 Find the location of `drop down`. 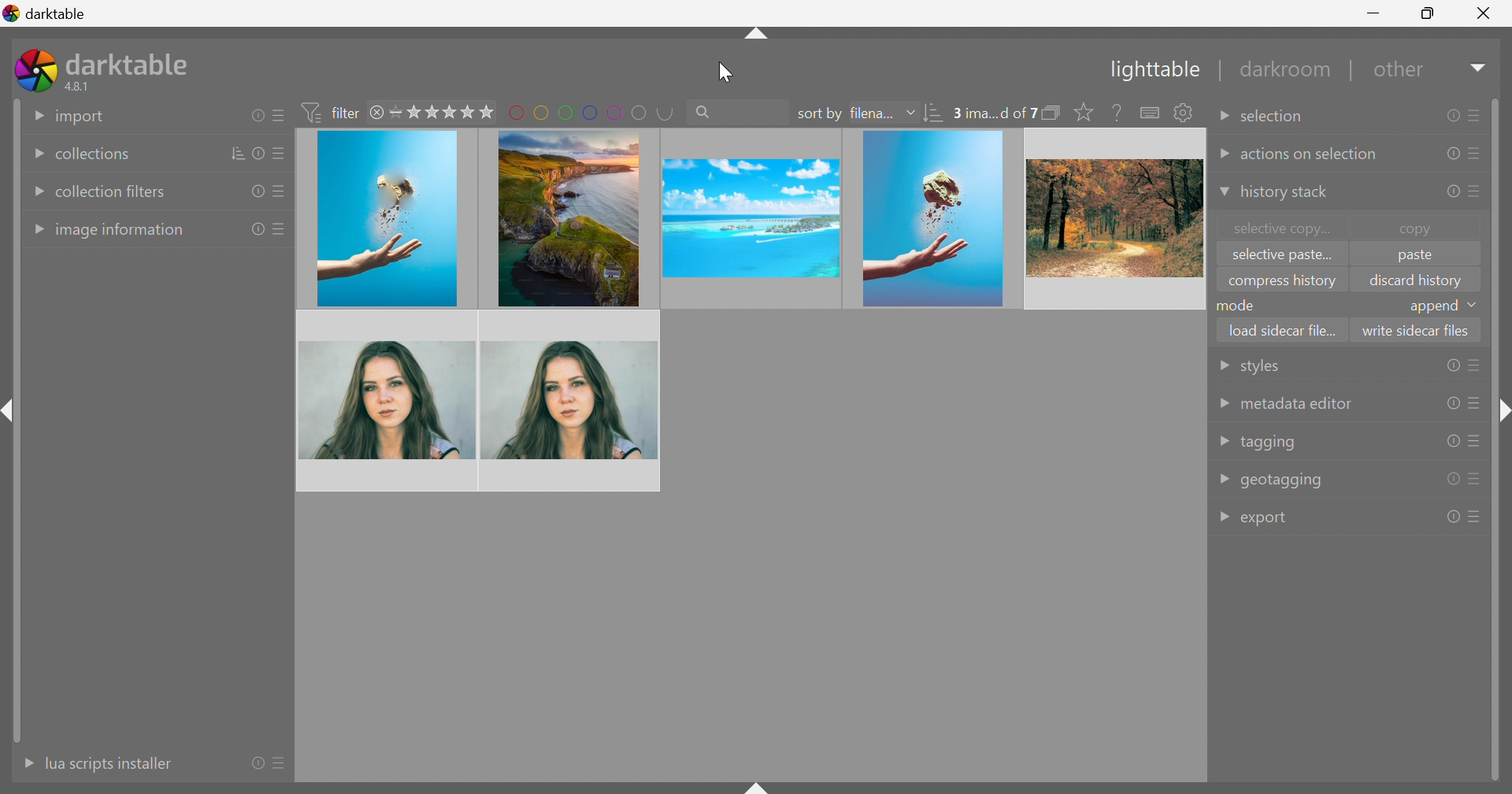

drop down is located at coordinates (1476, 305).